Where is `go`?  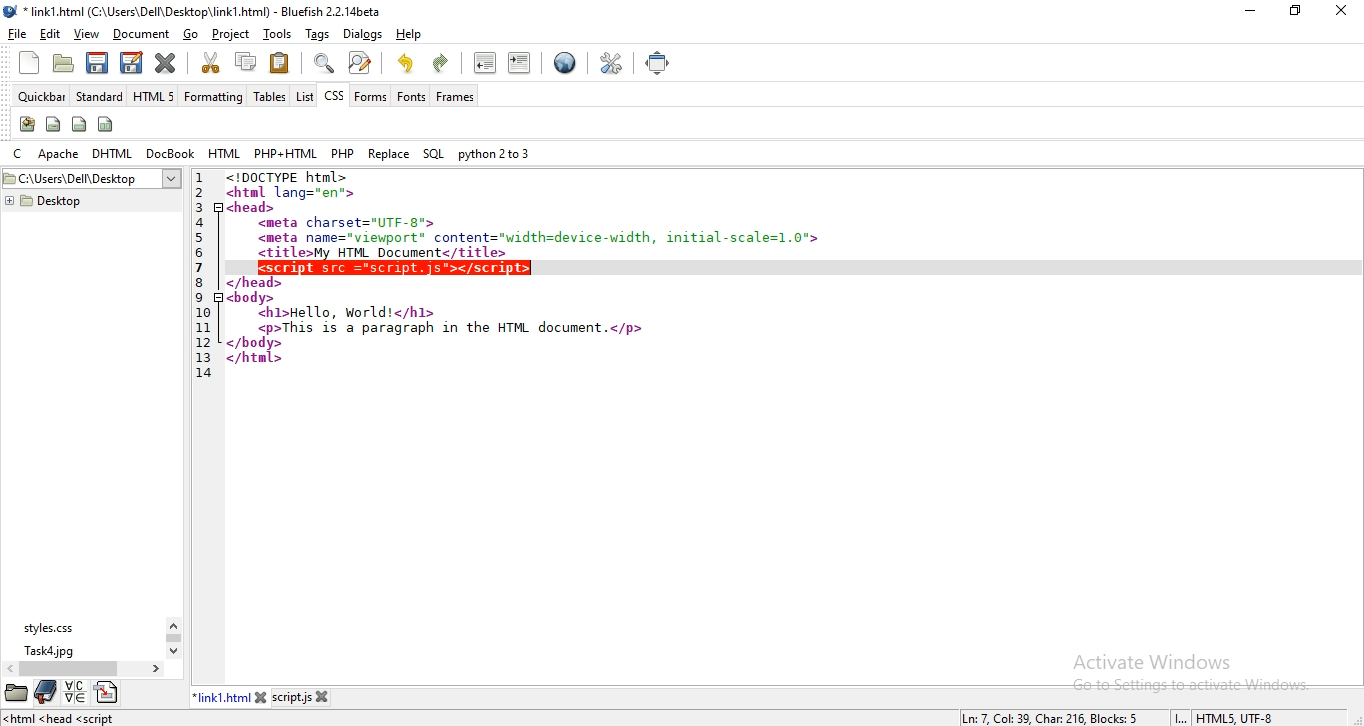
go is located at coordinates (188, 33).